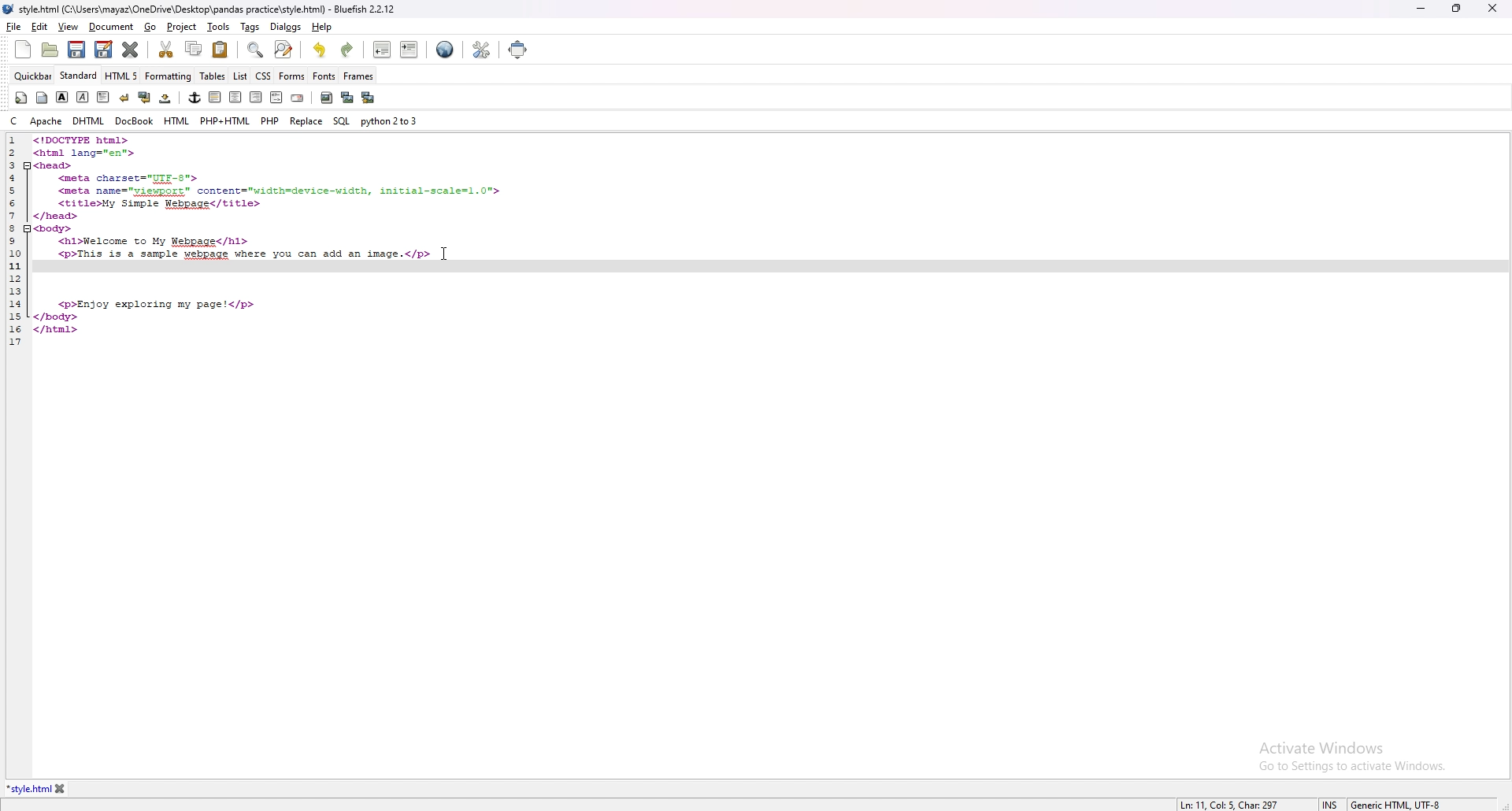 The image size is (1512, 811). Describe the element at coordinates (46, 121) in the screenshot. I see `apache` at that location.